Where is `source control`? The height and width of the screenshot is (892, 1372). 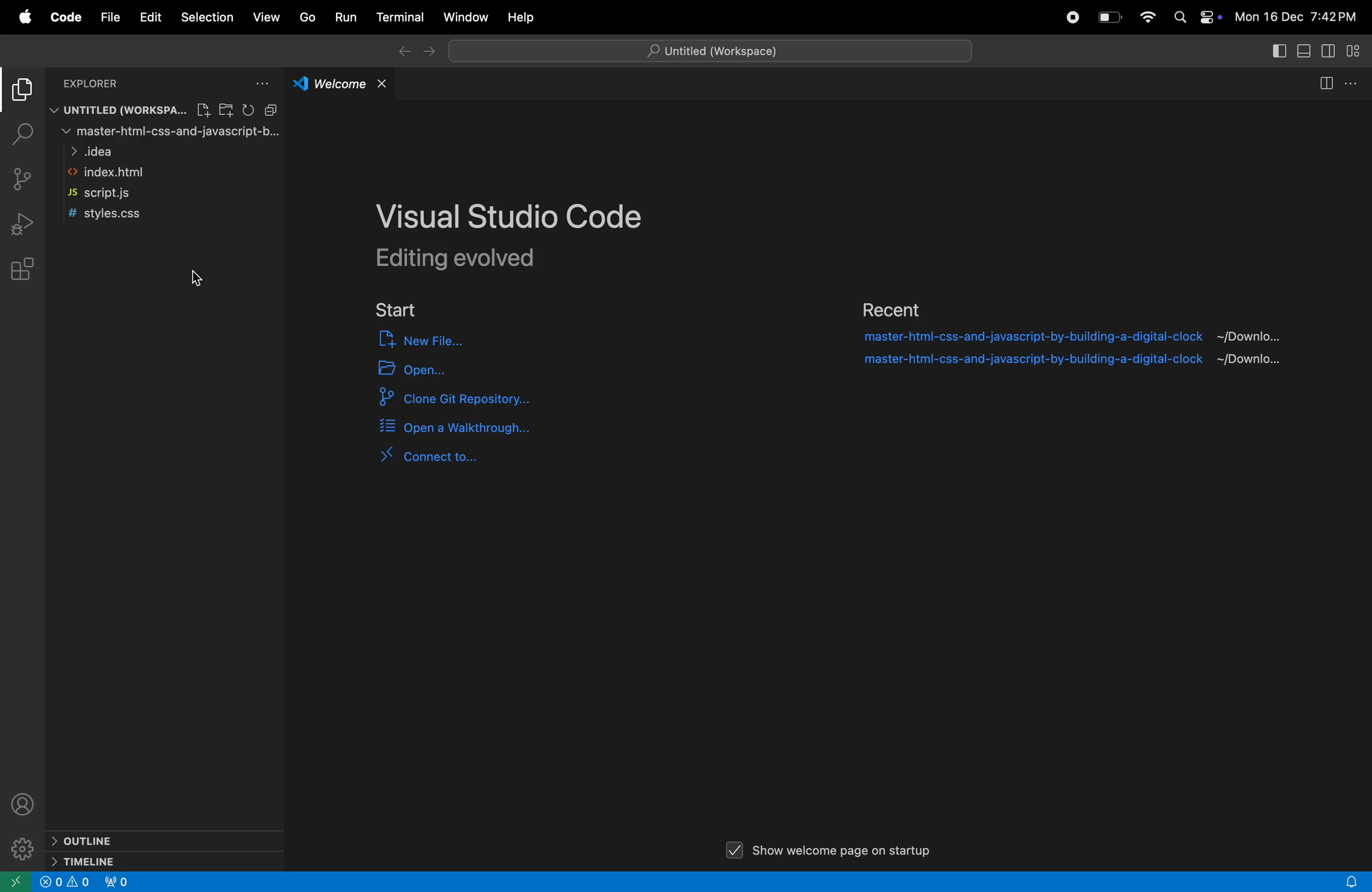 source control is located at coordinates (22, 179).